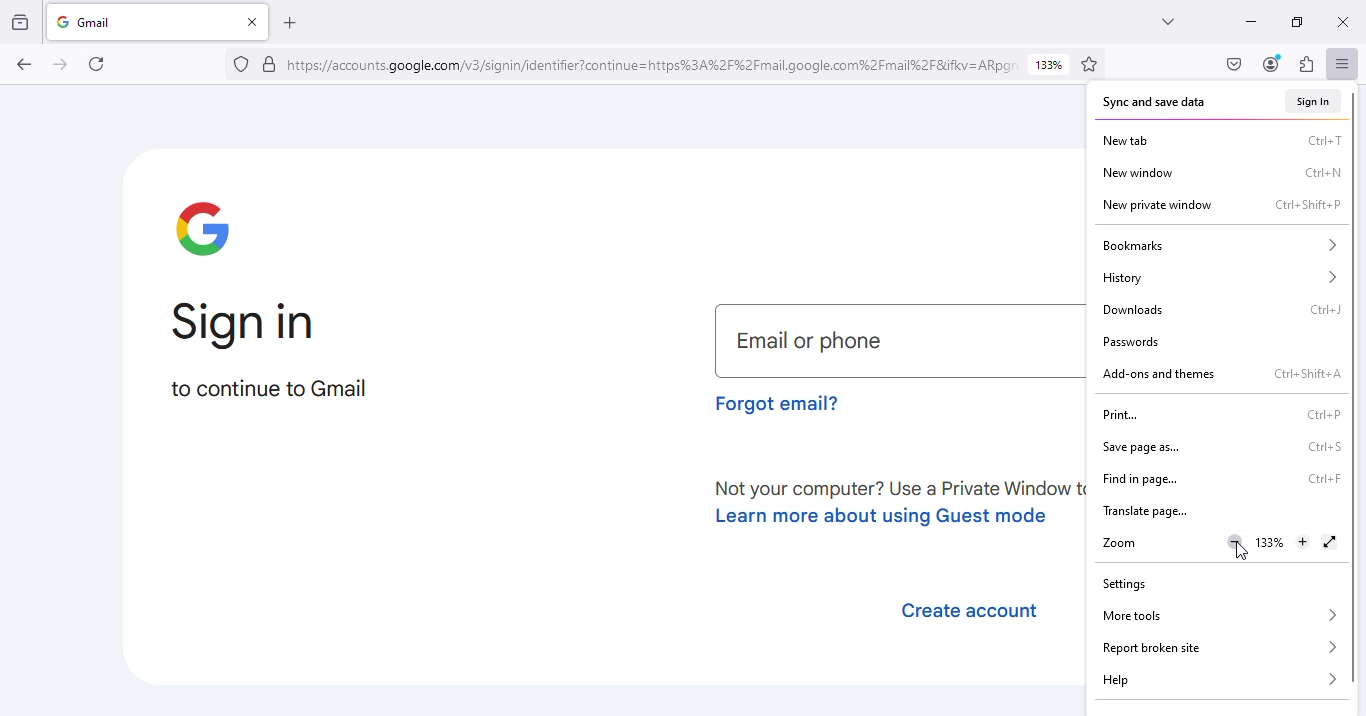 This screenshot has height=716, width=1366. Describe the element at coordinates (96, 64) in the screenshot. I see `reload current page` at that location.